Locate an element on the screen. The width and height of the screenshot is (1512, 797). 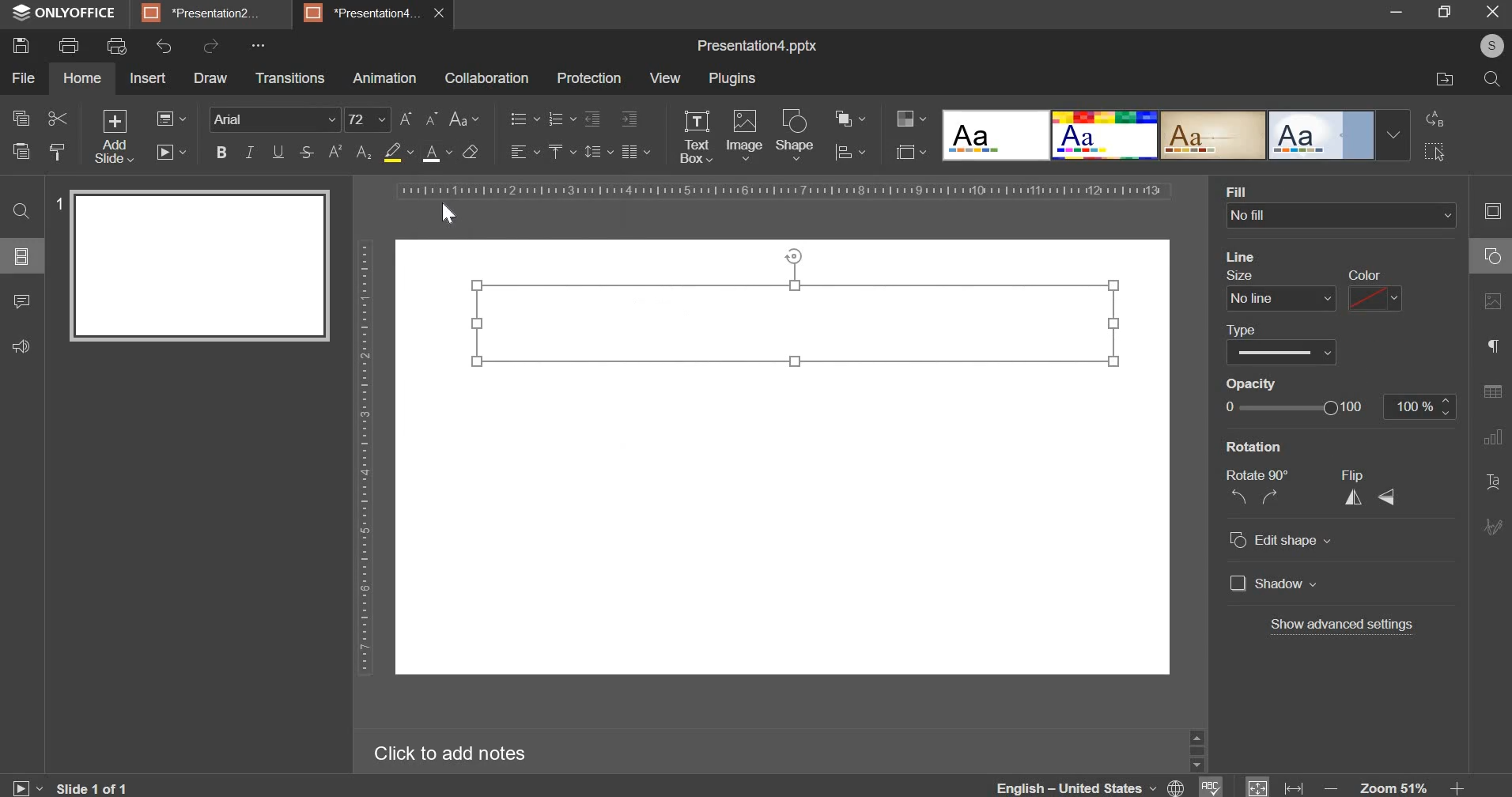
fill color is located at coordinates (398, 152).